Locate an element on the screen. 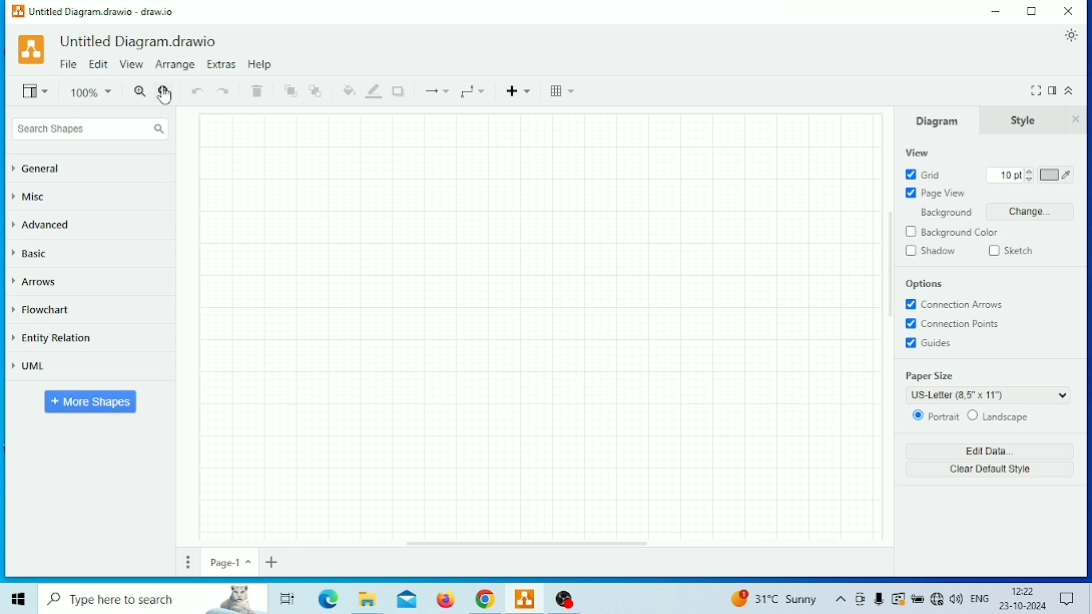 This screenshot has width=1092, height=614. Charging, plugged in is located at coordinates (917, 598).